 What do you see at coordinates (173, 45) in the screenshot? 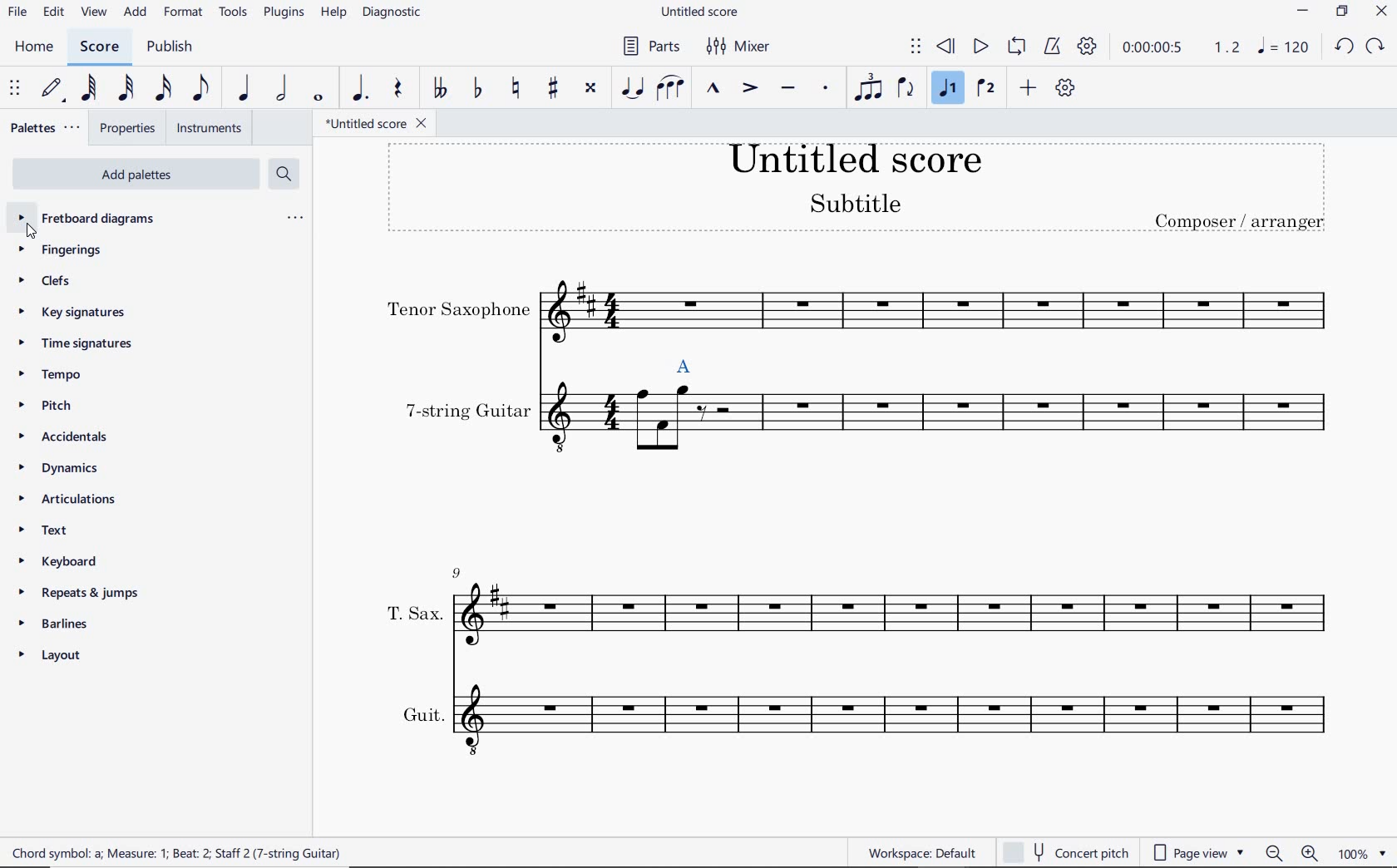
I see `PUBLISH` at bounding box center [173, 45].